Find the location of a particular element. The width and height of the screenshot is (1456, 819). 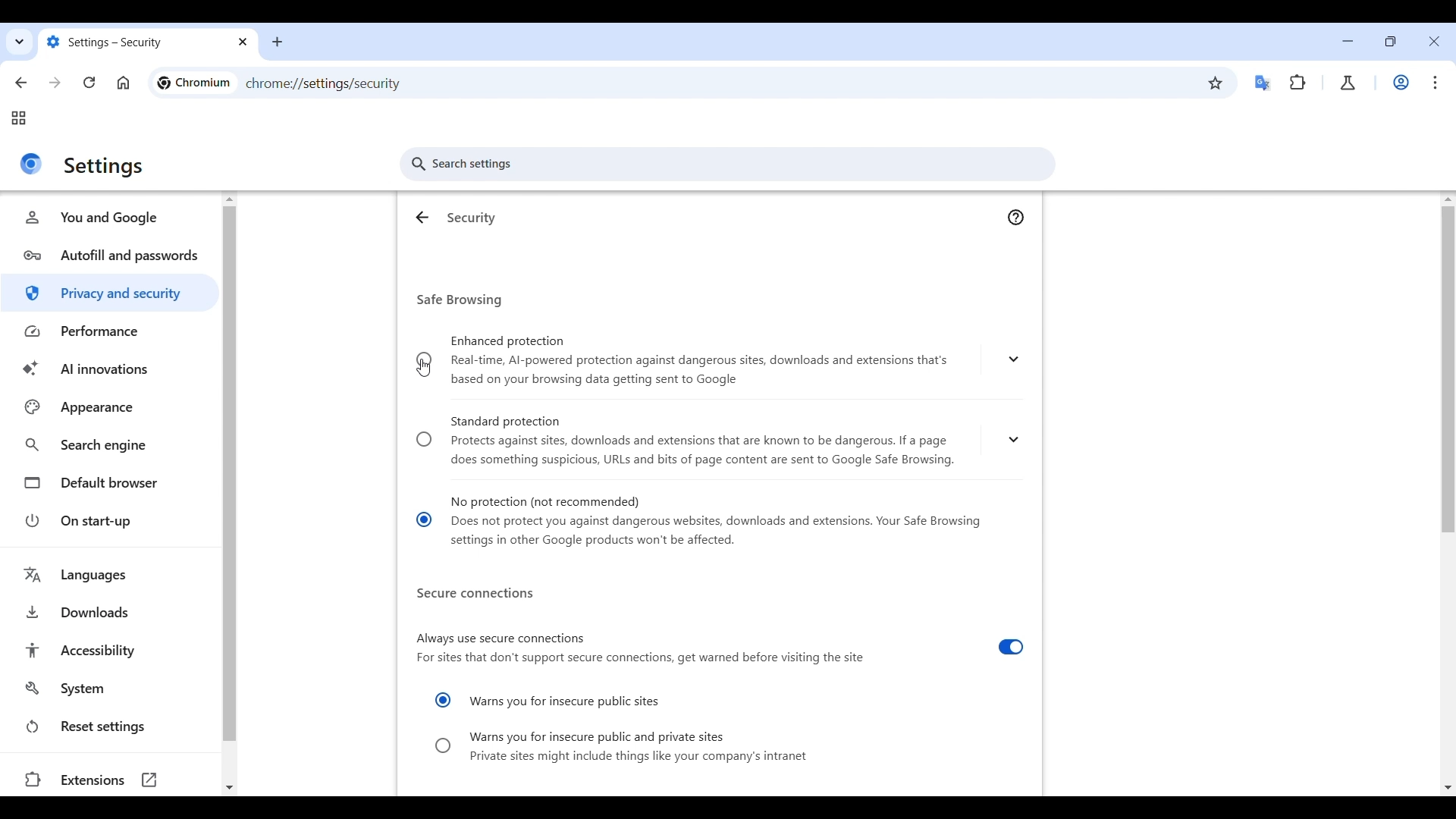

Go to Google Chrome help is located at coordinates (1016, 218).